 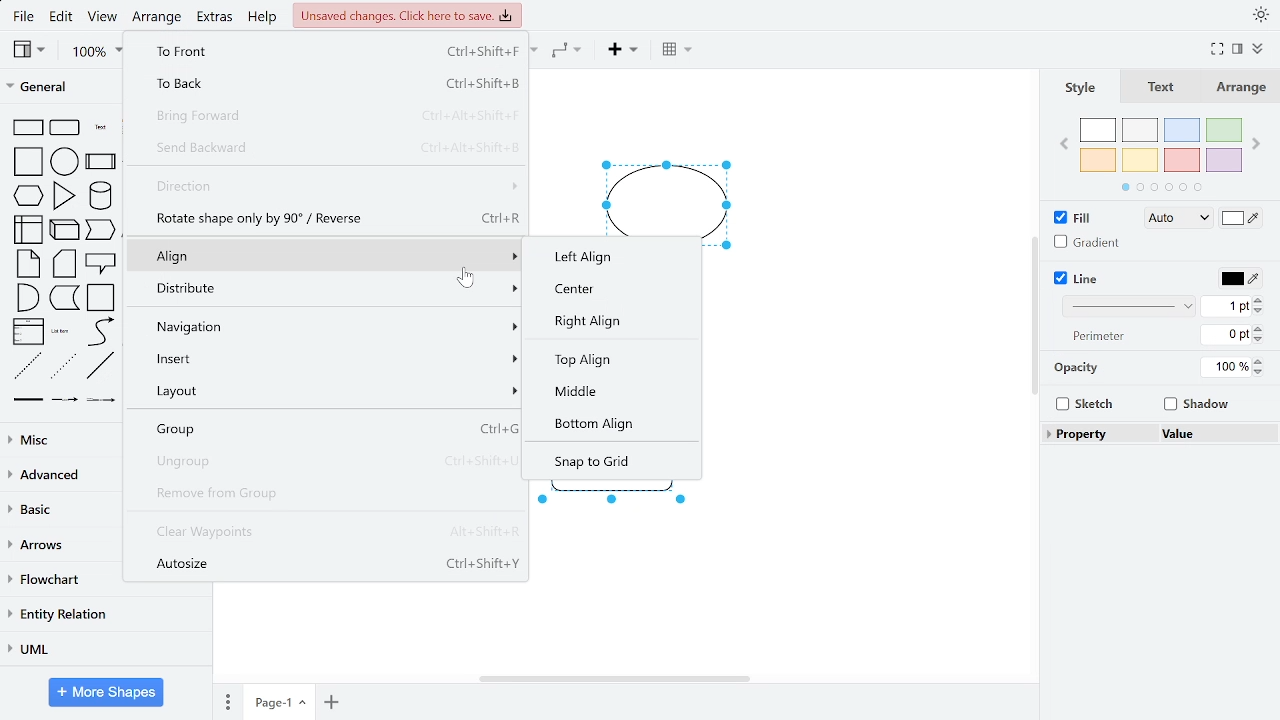 I want to click on cylinder, so click(x=100, y=196).